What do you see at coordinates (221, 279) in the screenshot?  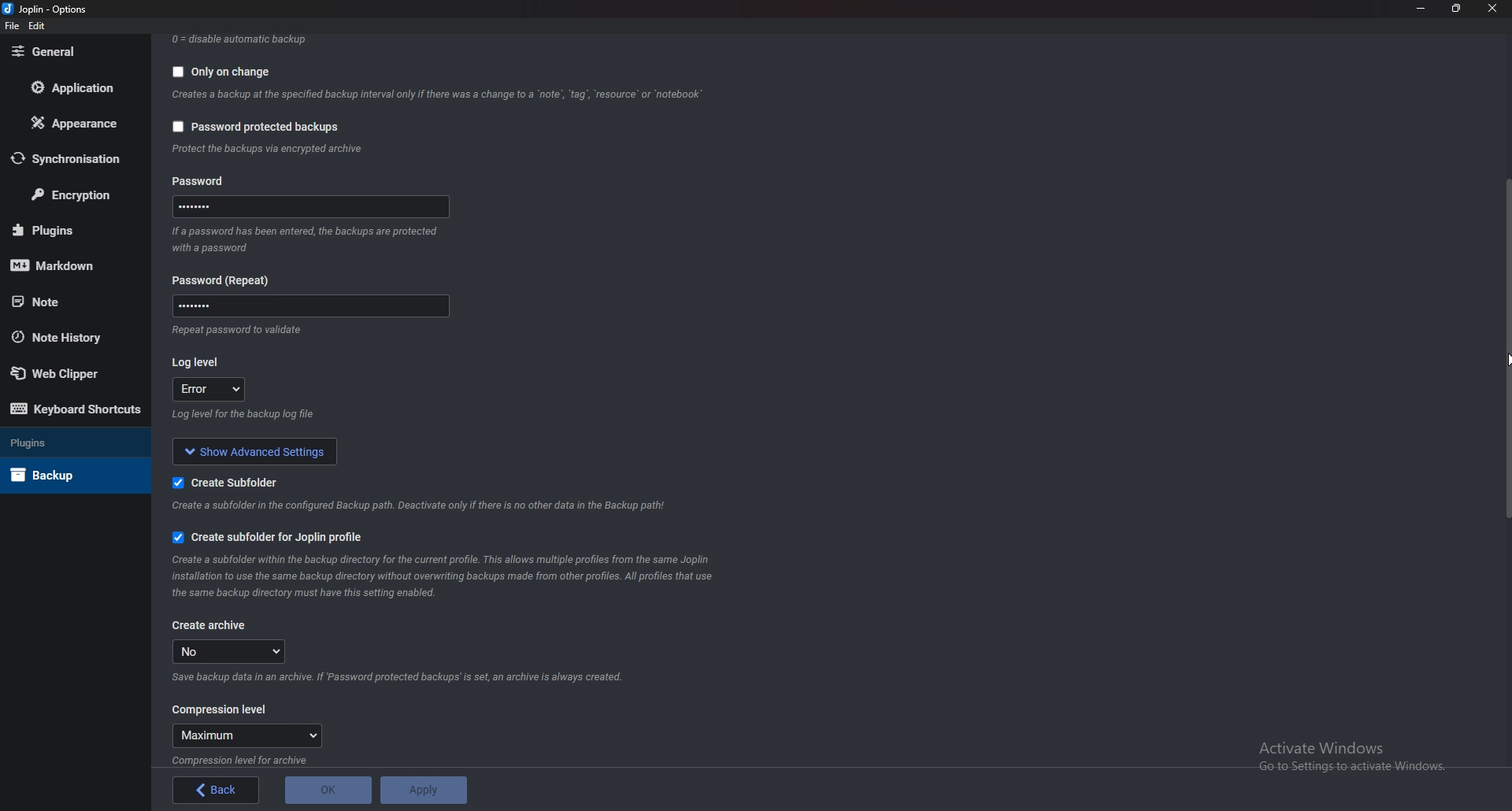 I see `Password` at bounding box center [221, 279].